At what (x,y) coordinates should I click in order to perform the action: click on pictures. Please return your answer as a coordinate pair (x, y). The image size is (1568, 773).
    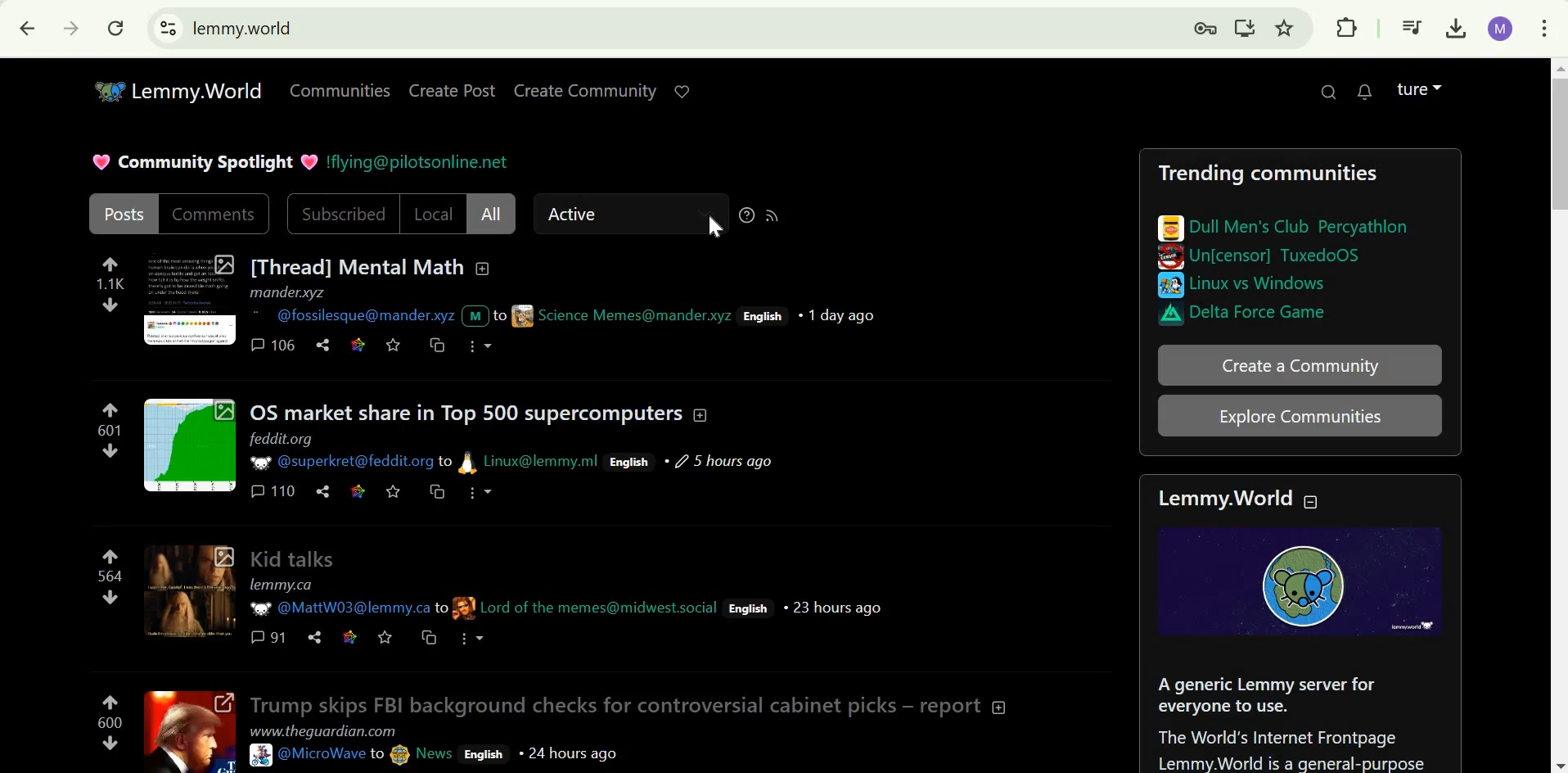
    Looking at the image, I should click on (1166, 223).